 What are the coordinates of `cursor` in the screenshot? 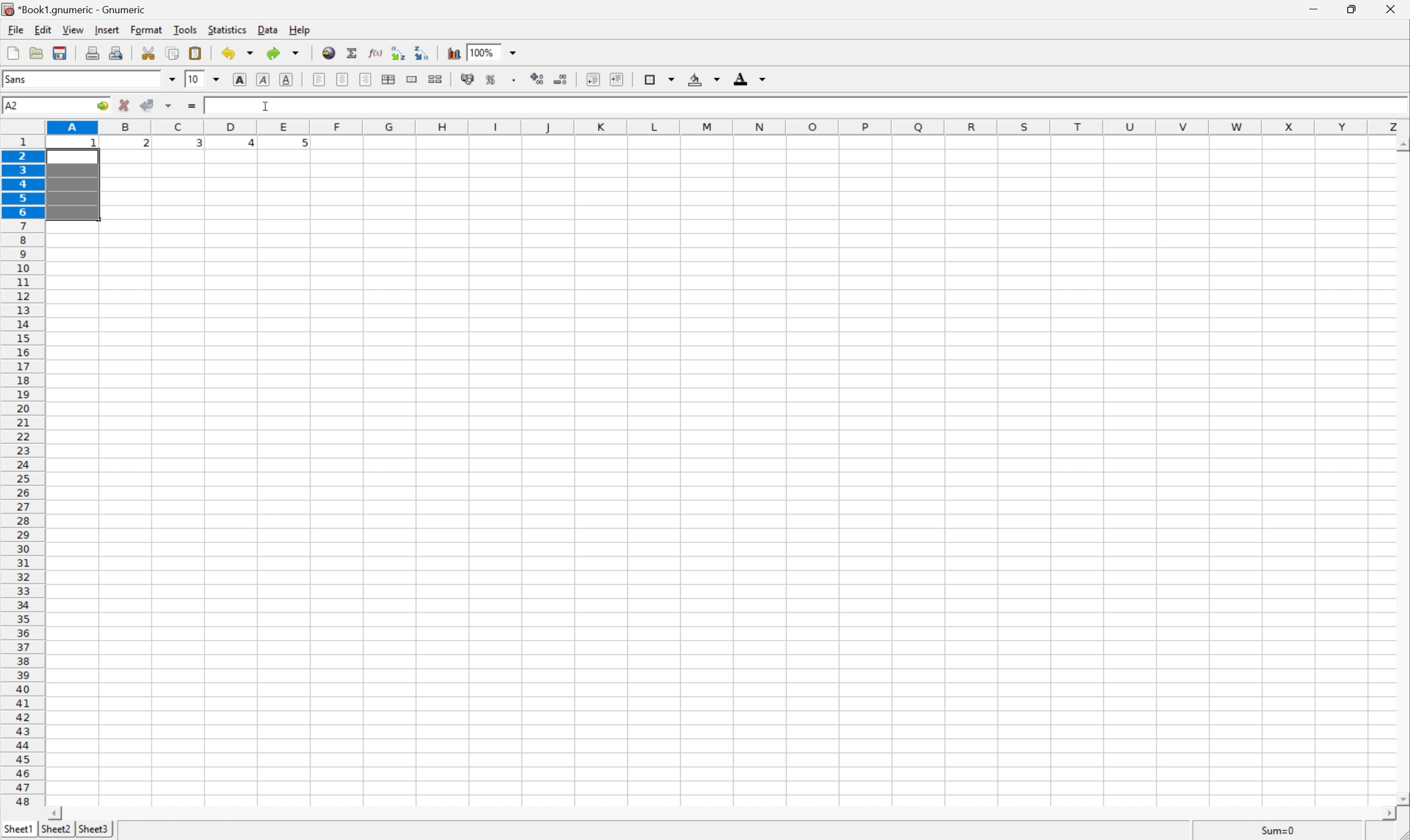 It's located at (267, 106).